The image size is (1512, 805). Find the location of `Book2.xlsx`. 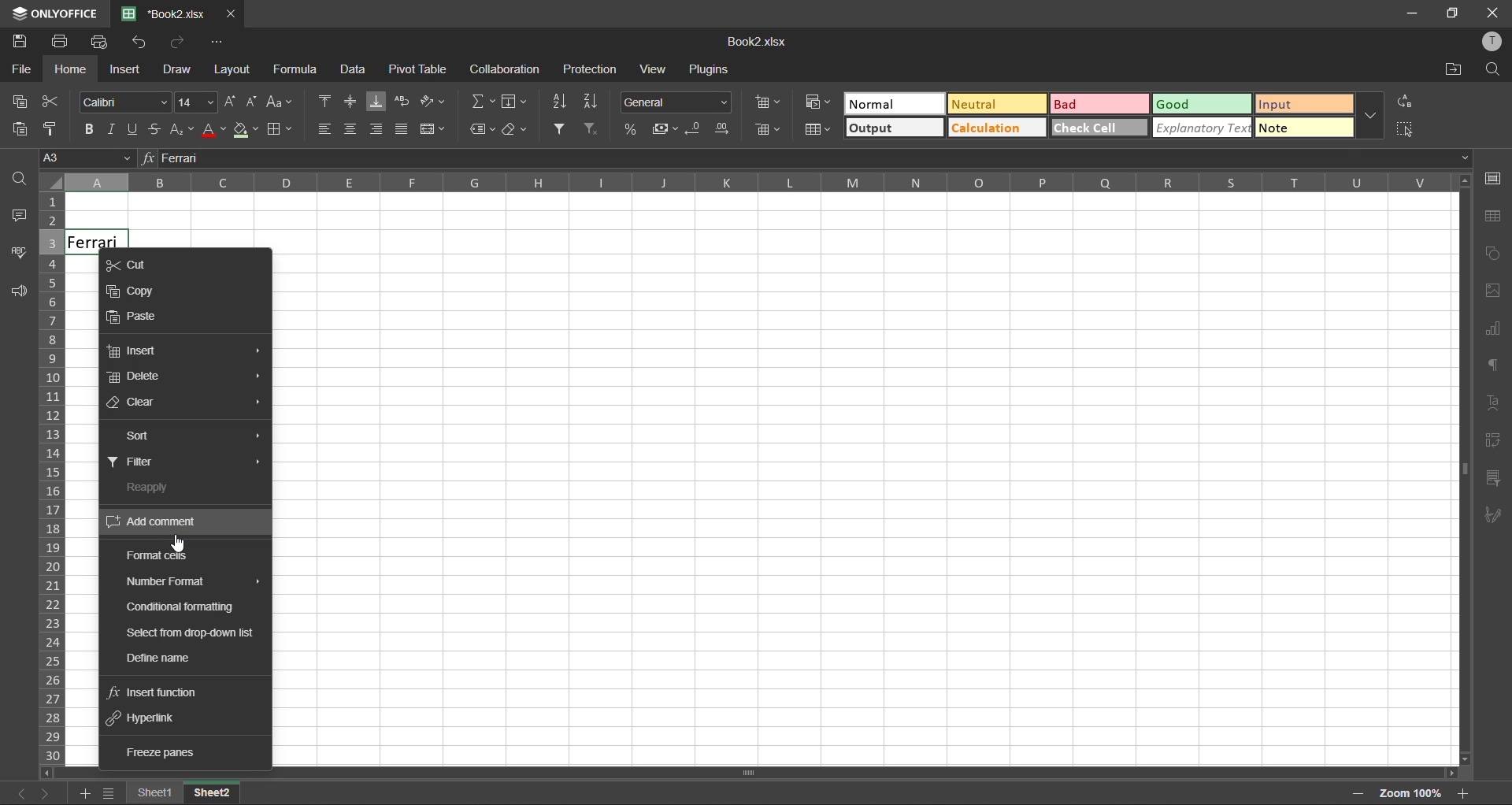

Book2.xlsx is located at coordinates (165, 12).